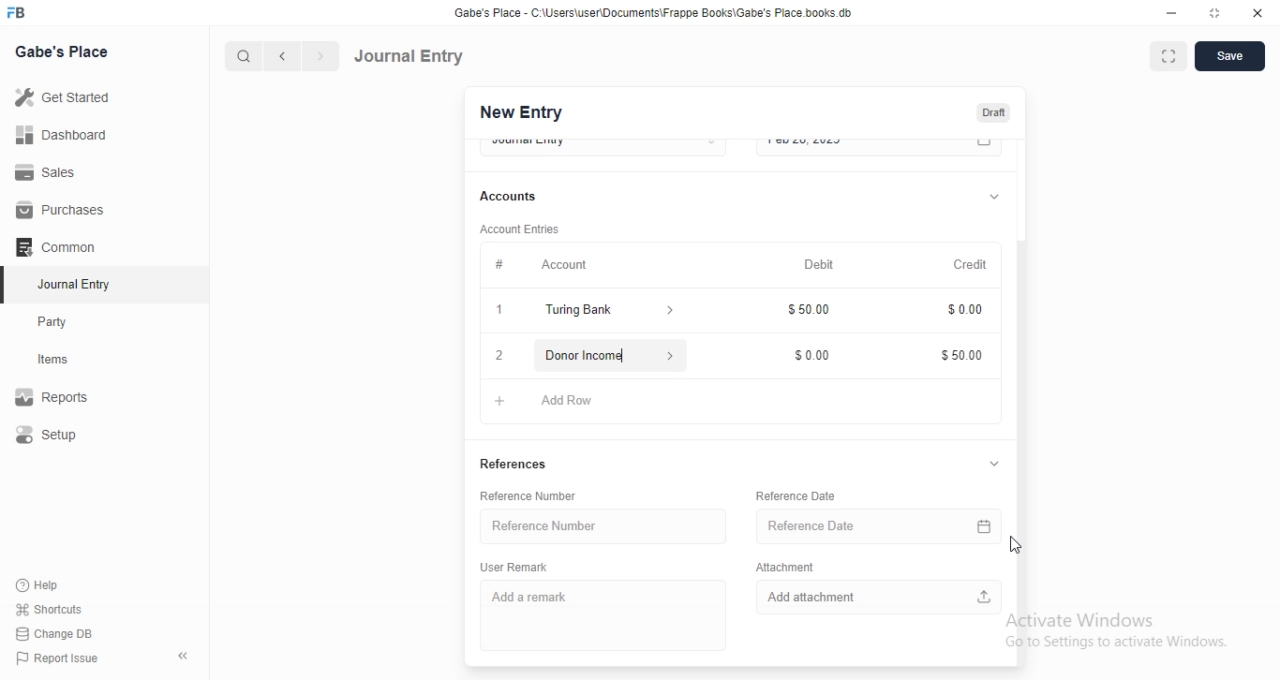  I want to click on $000, so click(814, 351).